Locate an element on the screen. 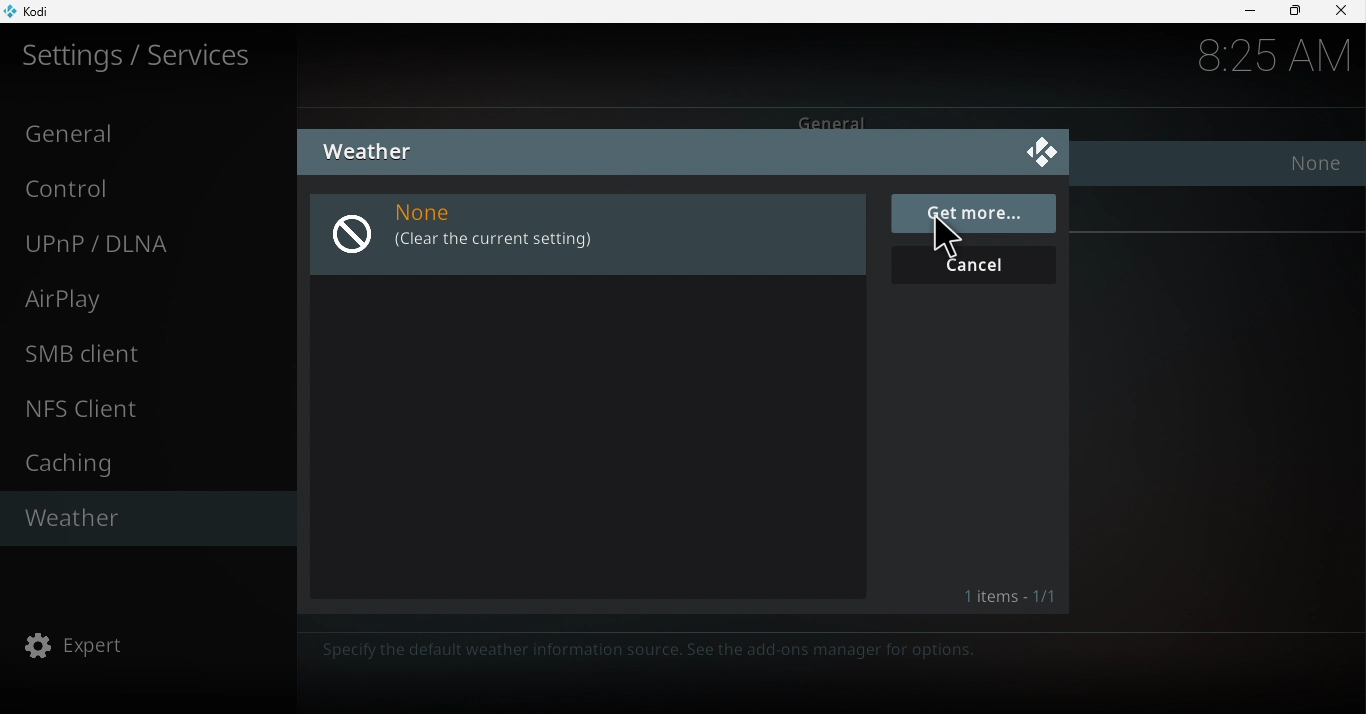 The image size is (1366, 714). Control is located at coordinates (145, 189).